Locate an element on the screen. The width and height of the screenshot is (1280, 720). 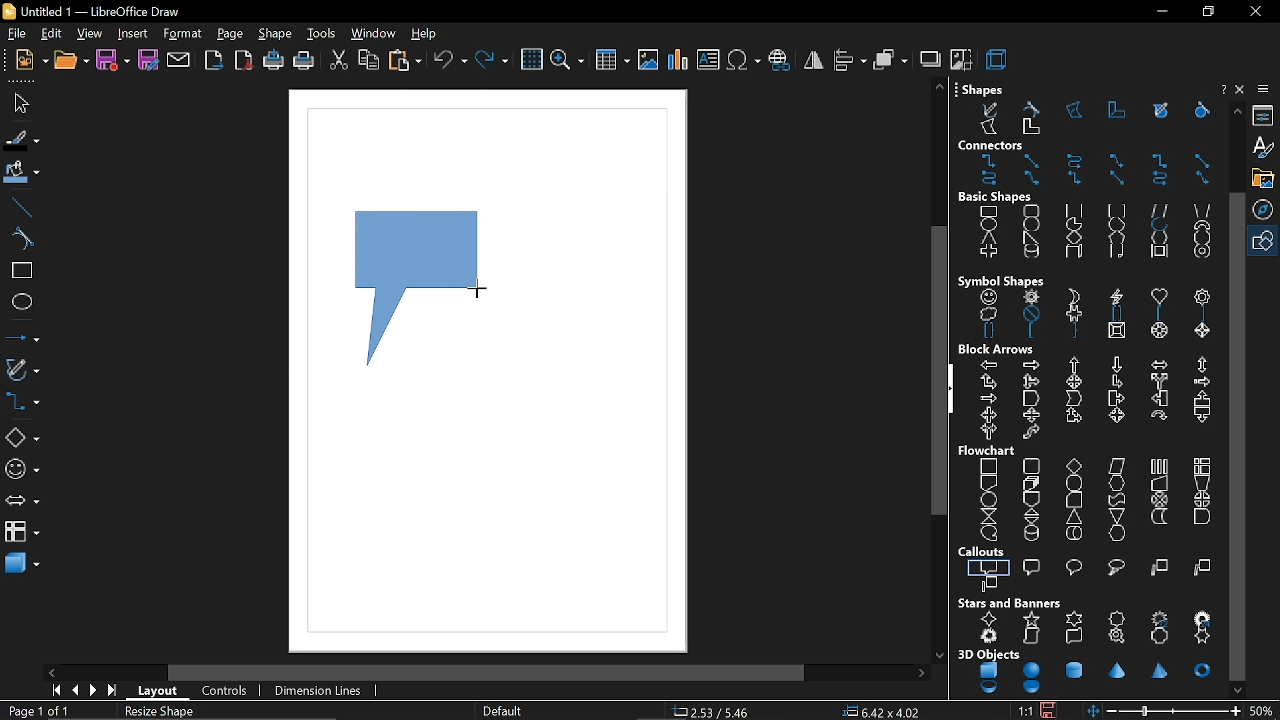
export is located at coordinates (214, 62).